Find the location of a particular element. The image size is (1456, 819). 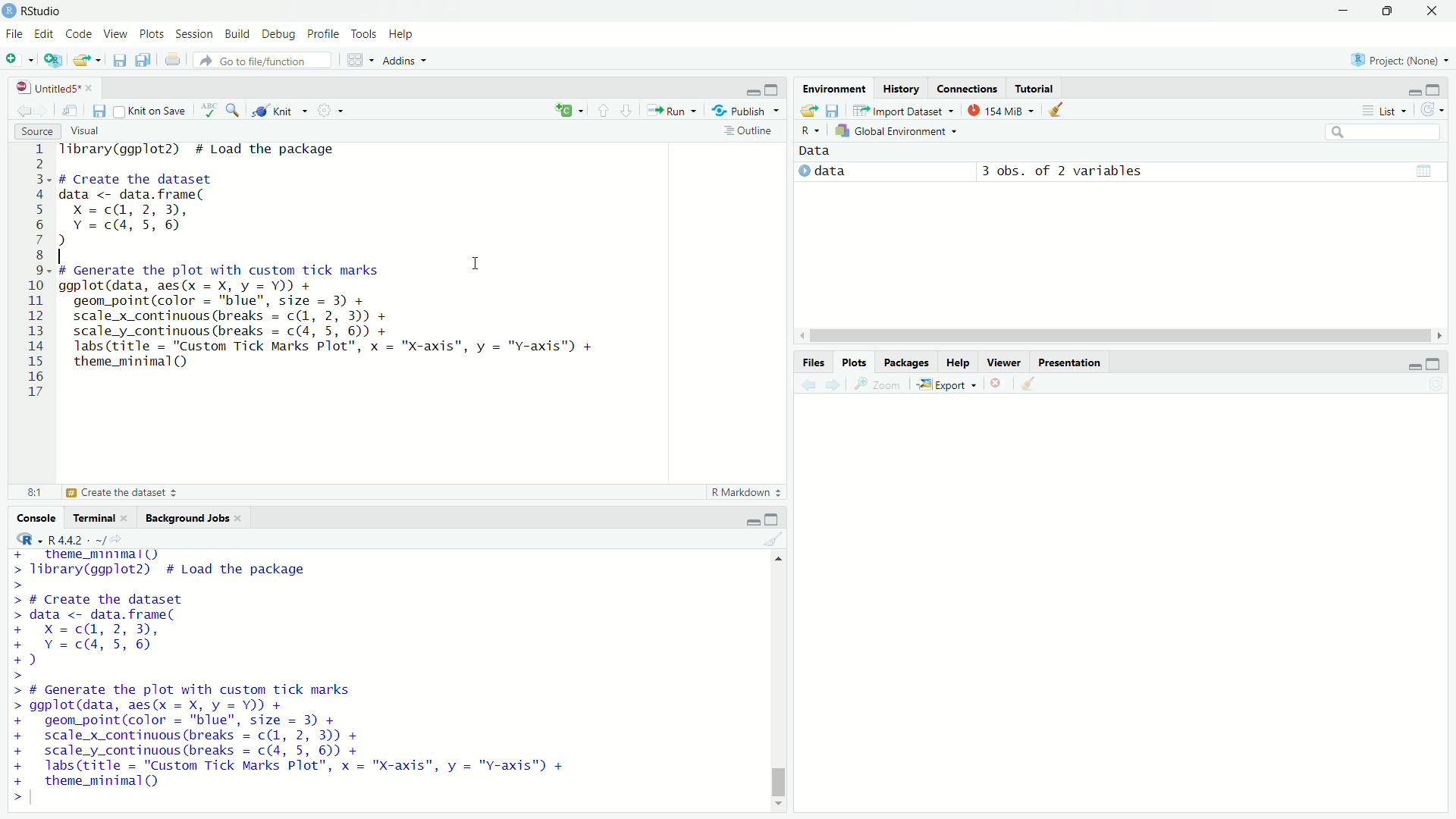

open an existing file is located at coordinates (89, 59).